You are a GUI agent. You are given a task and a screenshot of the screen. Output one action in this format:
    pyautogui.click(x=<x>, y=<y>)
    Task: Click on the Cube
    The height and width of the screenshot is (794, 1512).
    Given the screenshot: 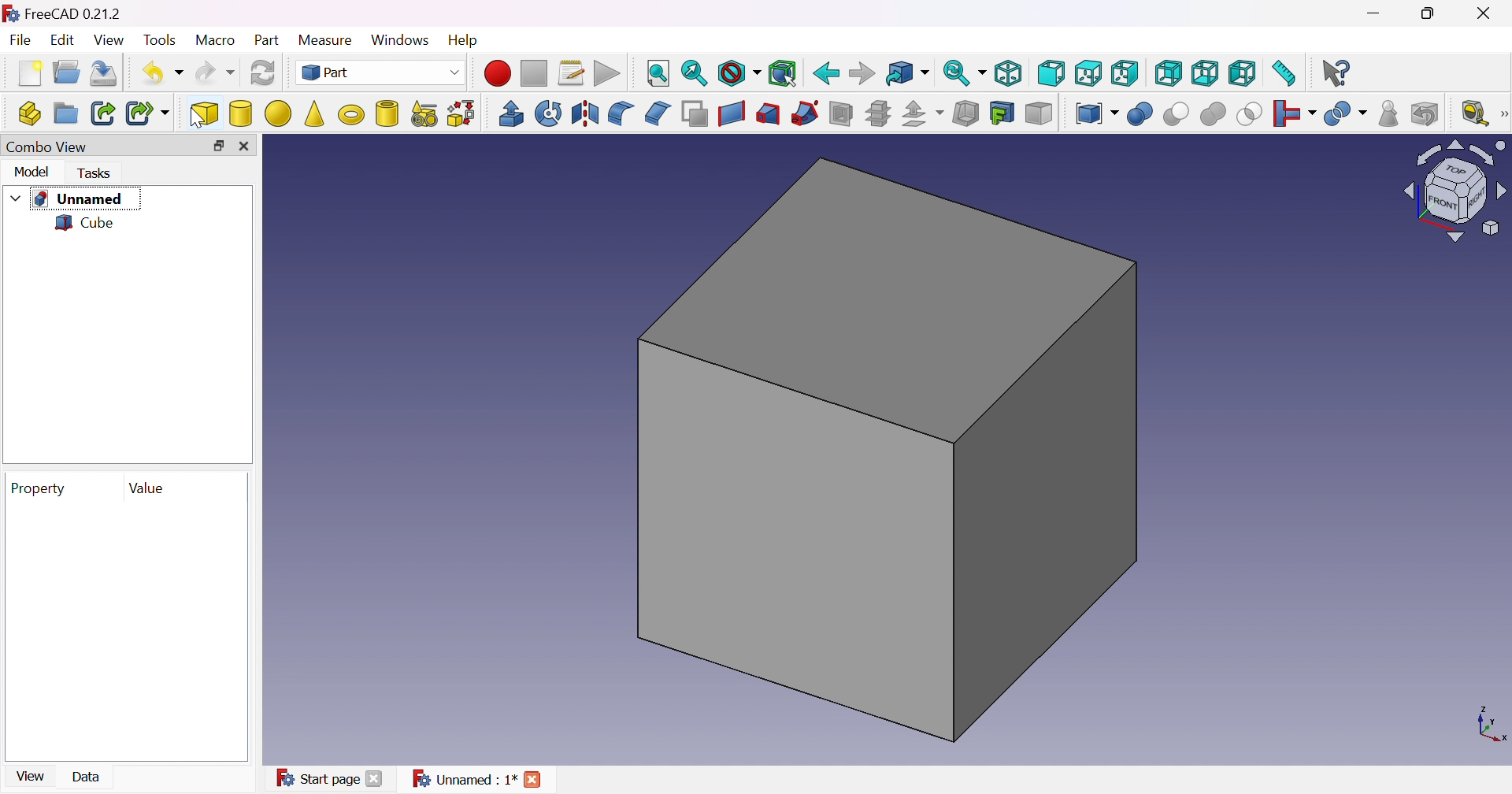 What is the action you would take?
    pyautogui.click(x=87, y=224)
    